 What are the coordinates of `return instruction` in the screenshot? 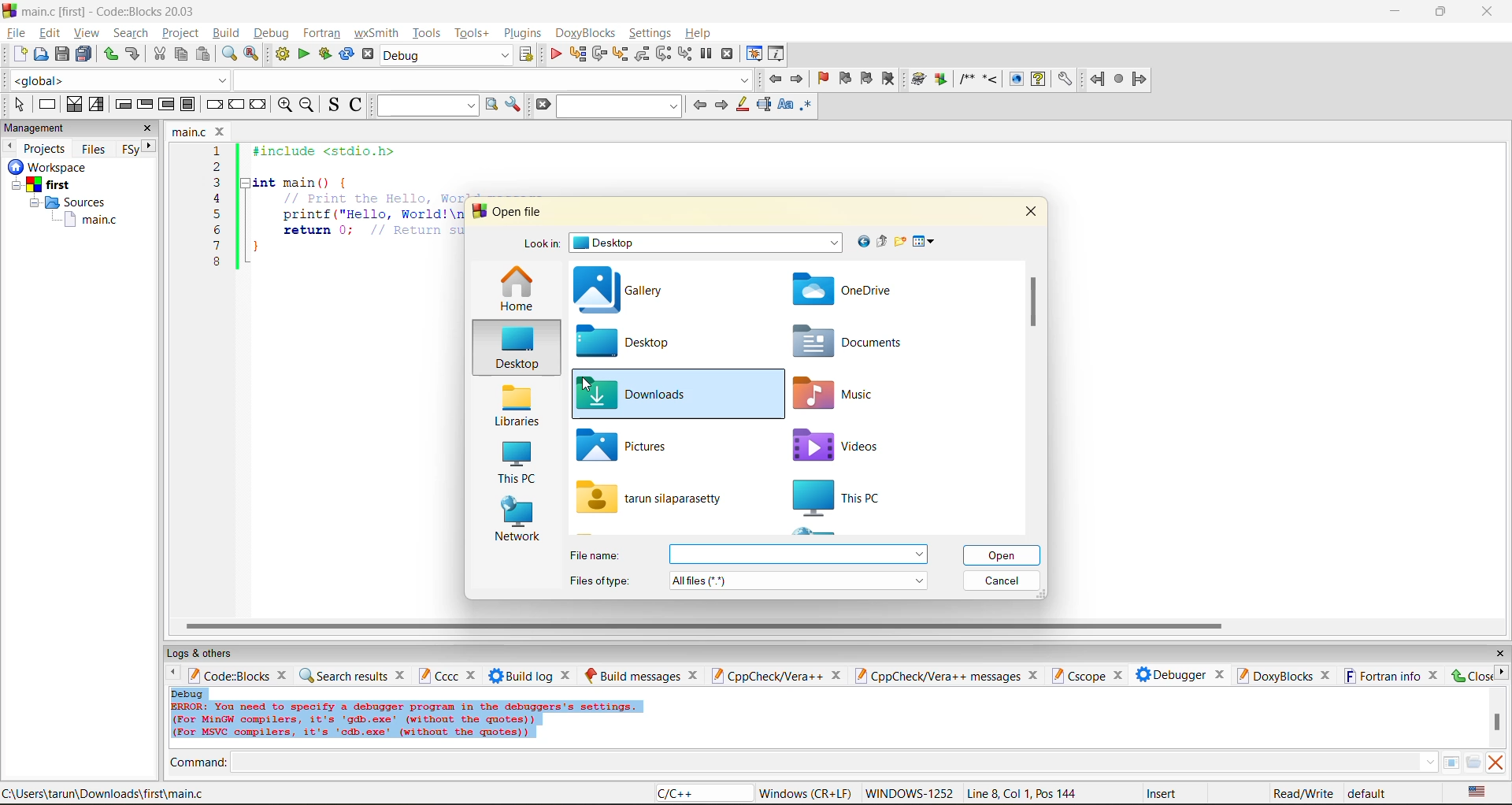 It's located at (259, 106).